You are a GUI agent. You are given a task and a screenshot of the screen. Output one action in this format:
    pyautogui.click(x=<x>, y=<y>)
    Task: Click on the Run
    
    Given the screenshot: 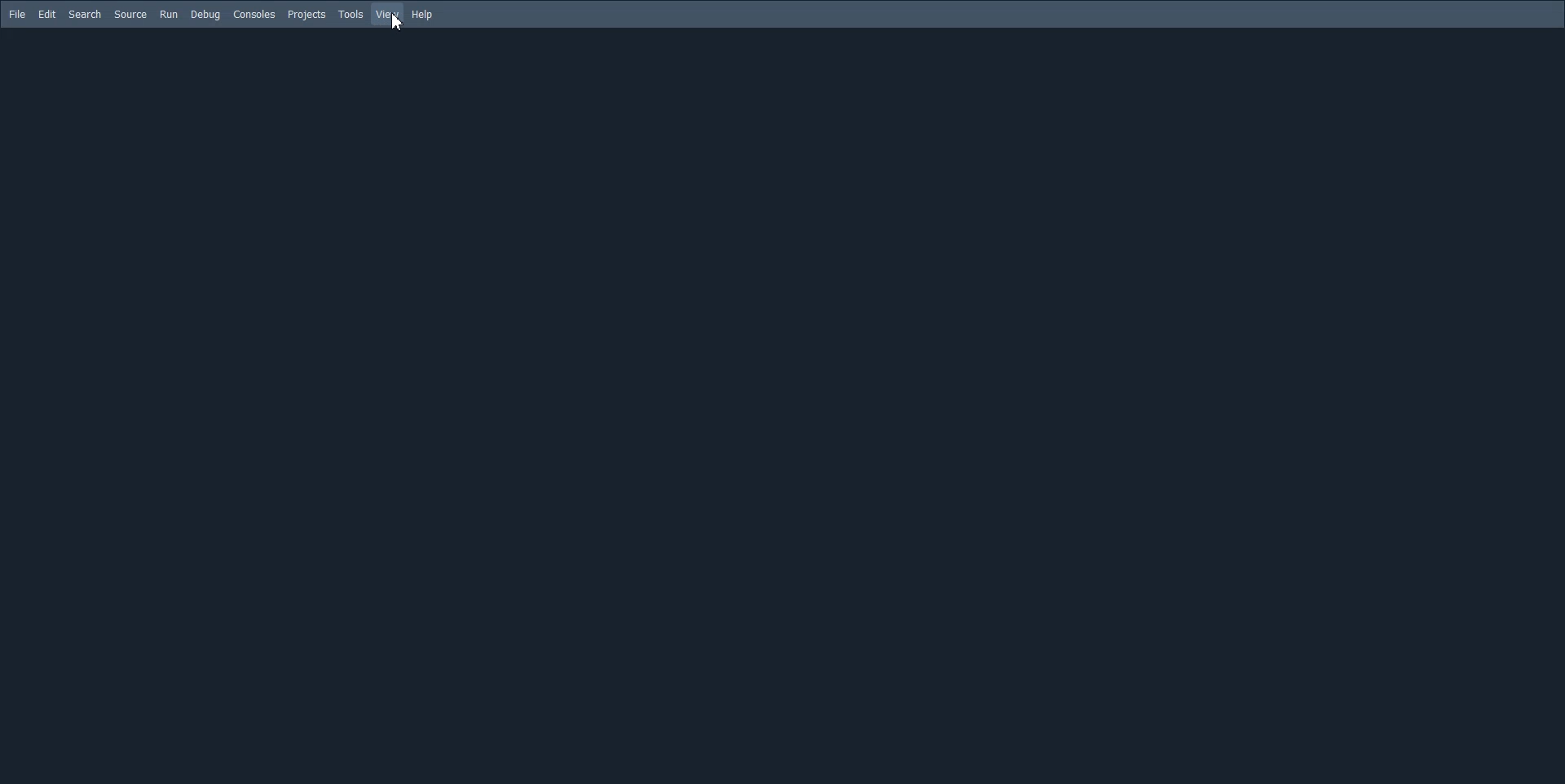 What is the action you would take?
    pyautogui.click(x=168, y=15)
    